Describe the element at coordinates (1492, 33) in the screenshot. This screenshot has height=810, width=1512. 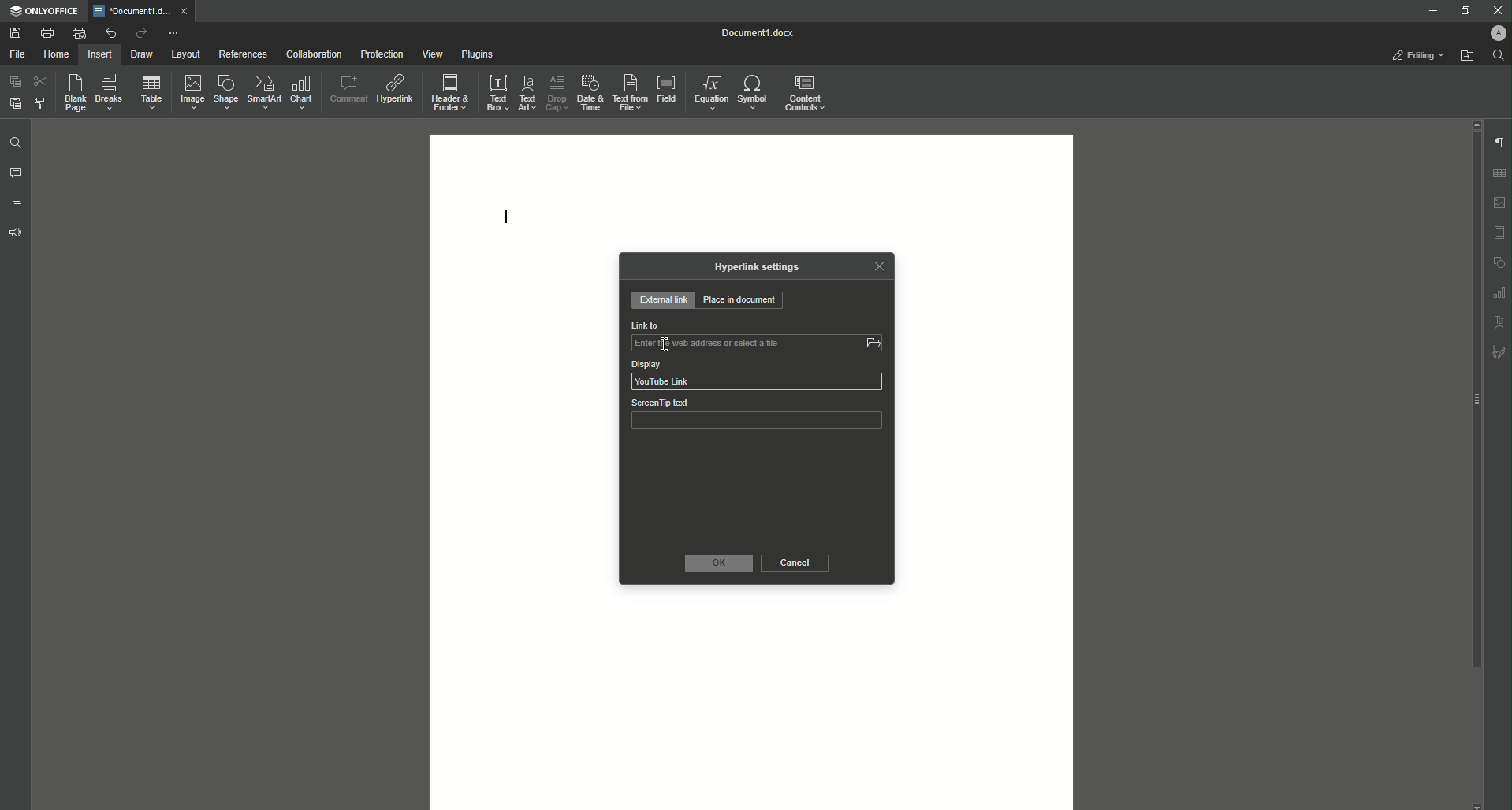
I see `Profile` at that location.